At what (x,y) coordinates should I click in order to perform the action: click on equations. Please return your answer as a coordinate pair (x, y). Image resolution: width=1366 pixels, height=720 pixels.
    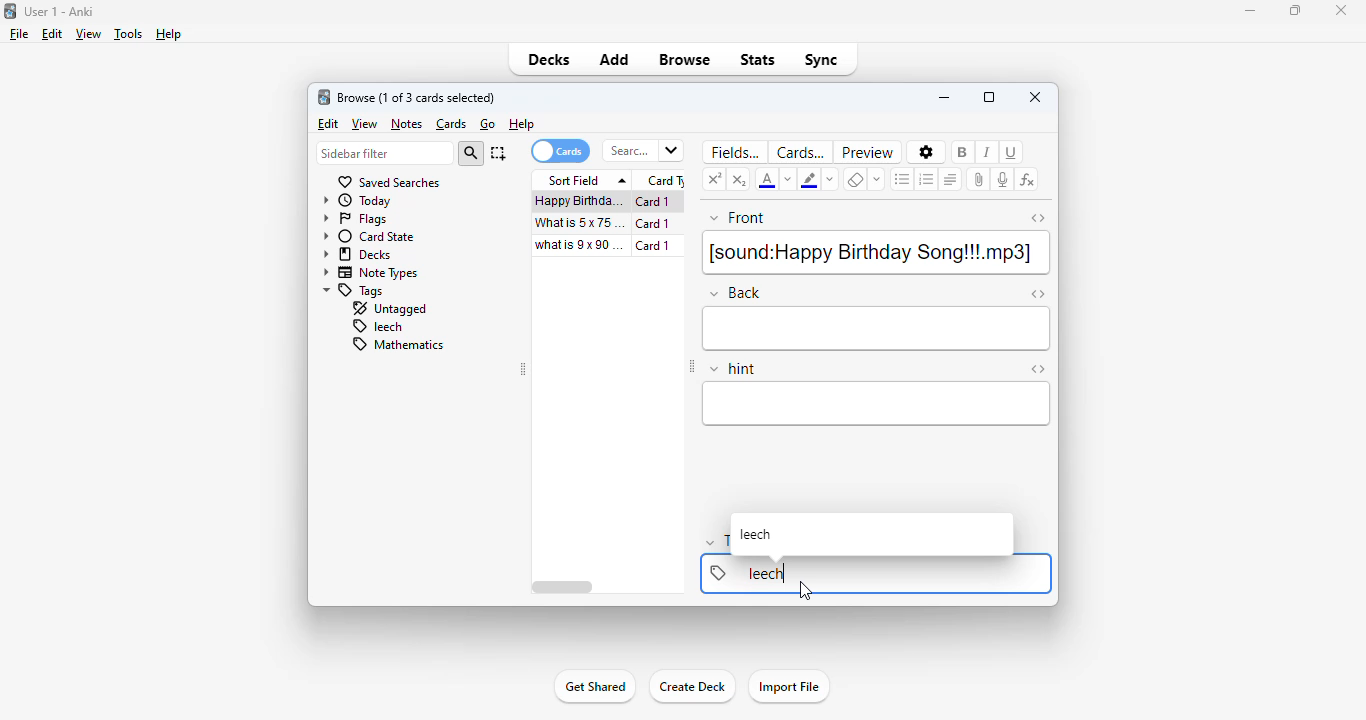
    Looking at the image, I should click on (1027, 181).